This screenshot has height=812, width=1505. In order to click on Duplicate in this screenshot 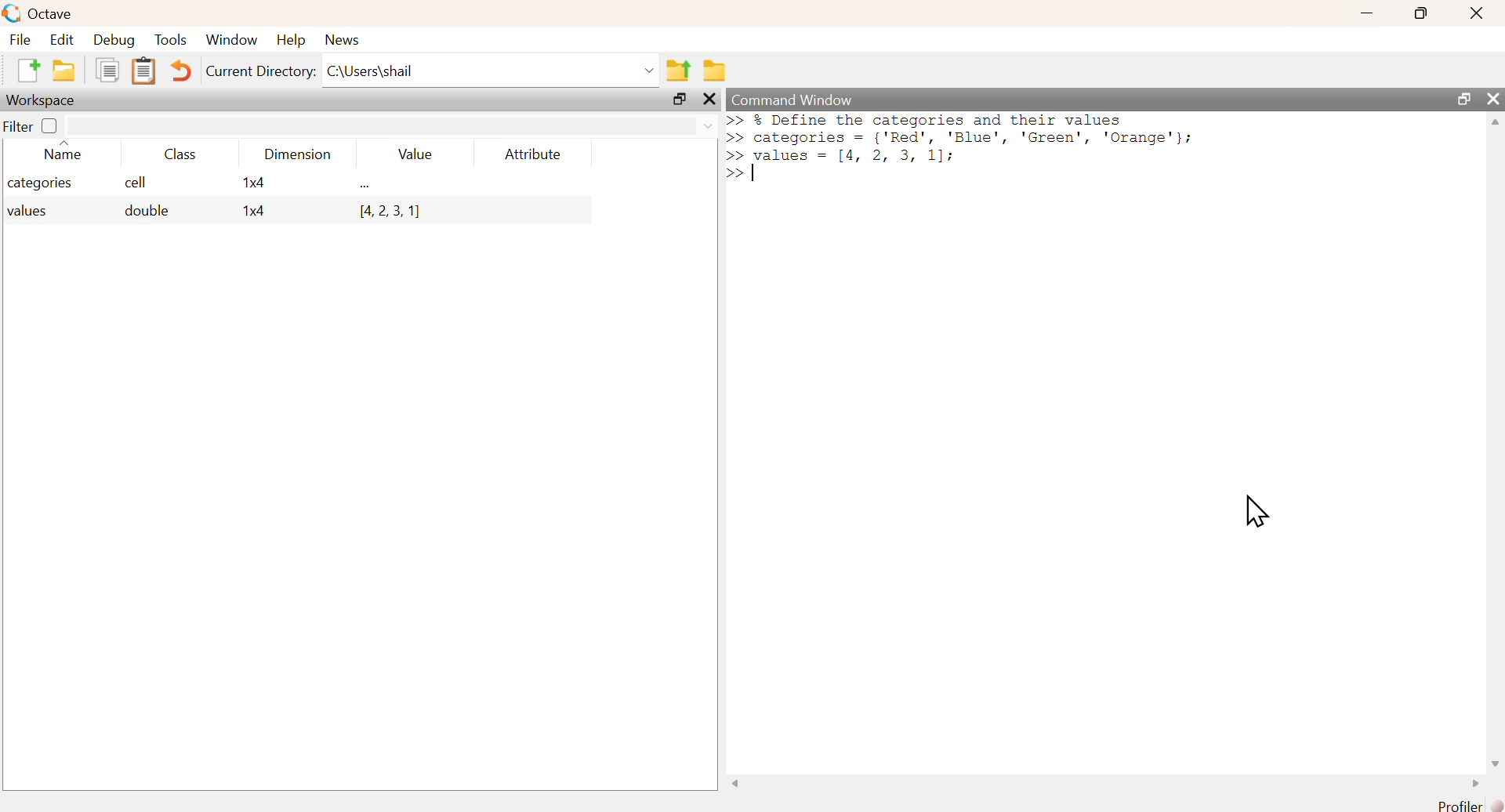, I will do `click(107, 69)`.